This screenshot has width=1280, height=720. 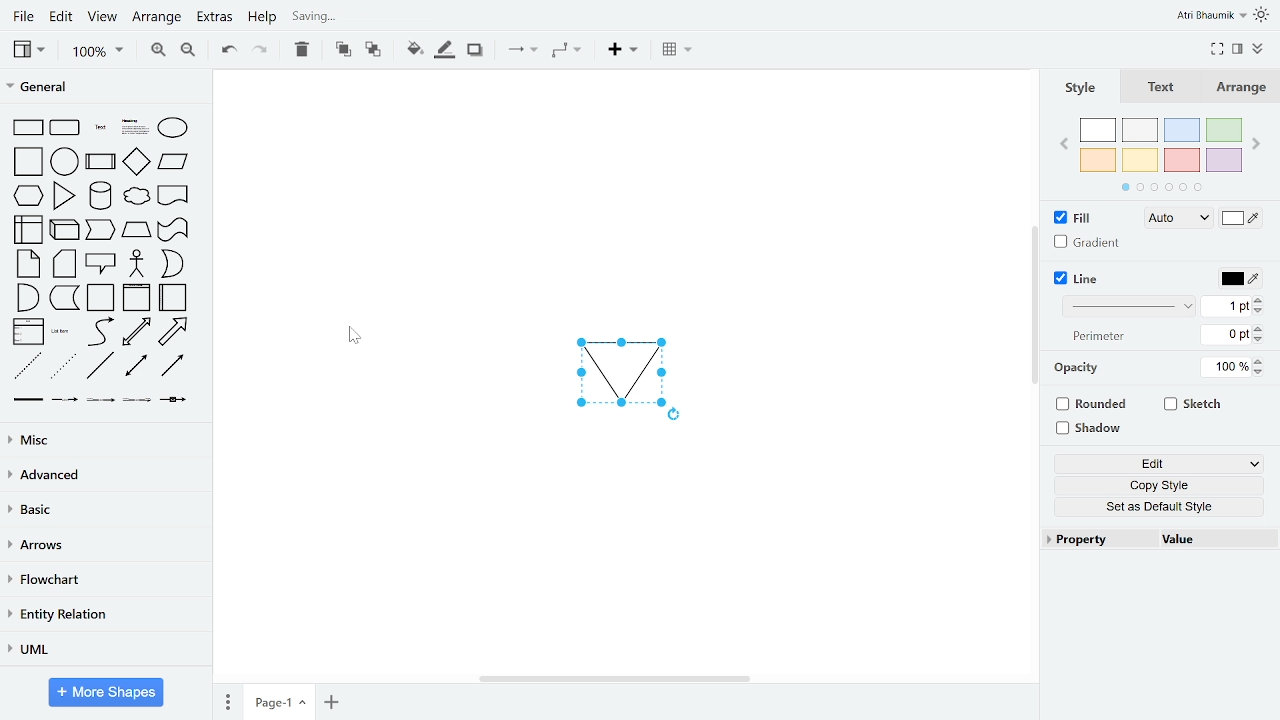 I want to click on shadow, so click(x=474, y=50).